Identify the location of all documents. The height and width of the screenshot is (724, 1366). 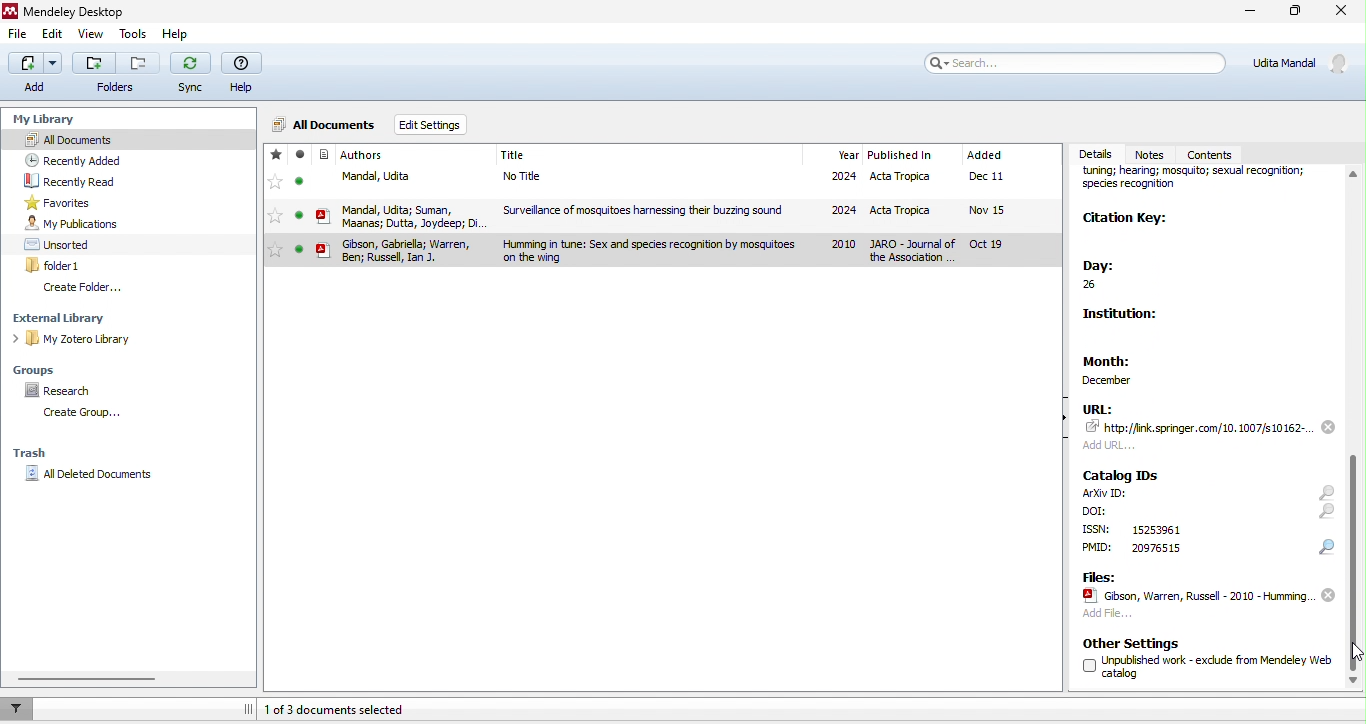
(128, 138).